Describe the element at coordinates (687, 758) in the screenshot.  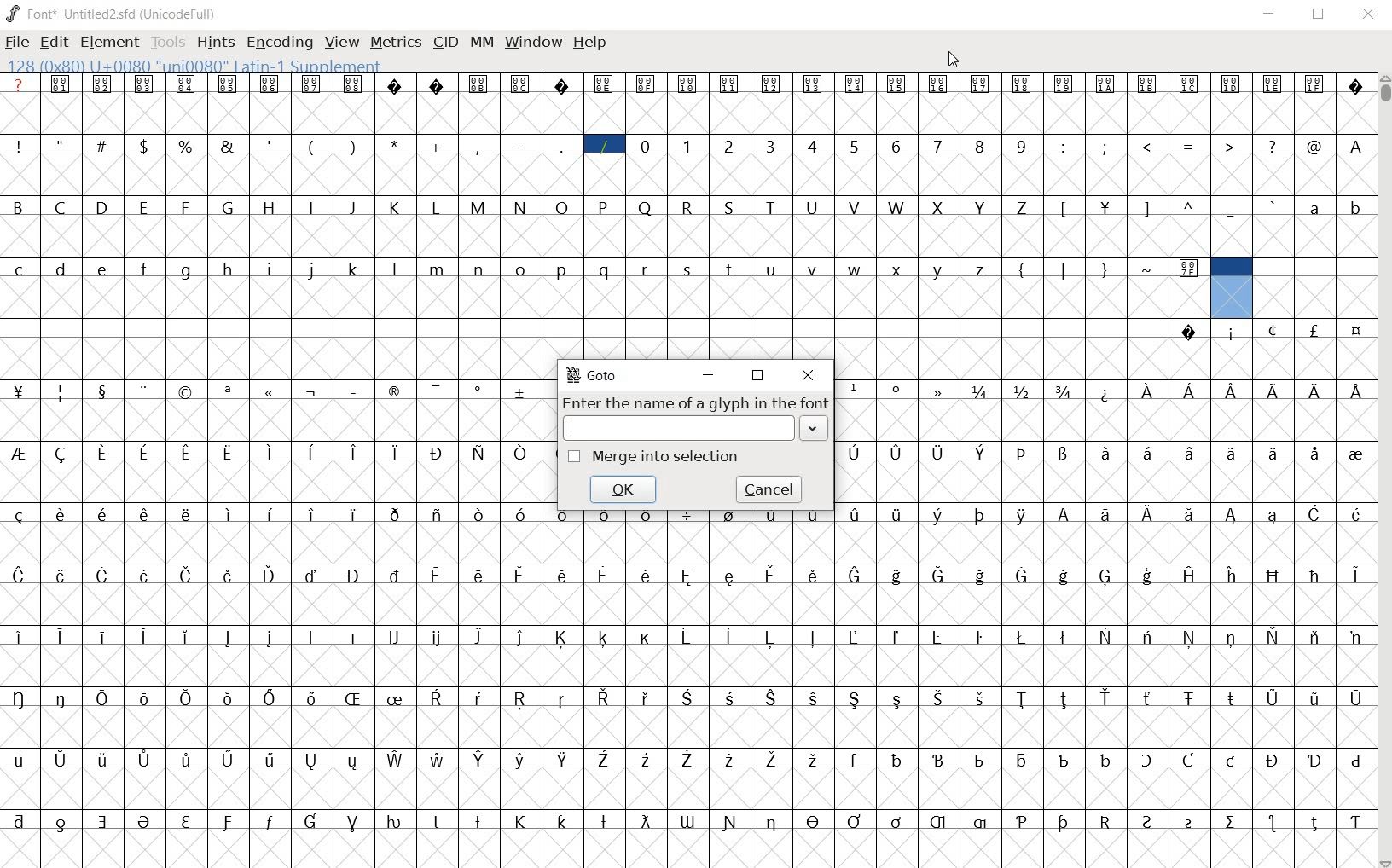
I see `Symbol` at that location.